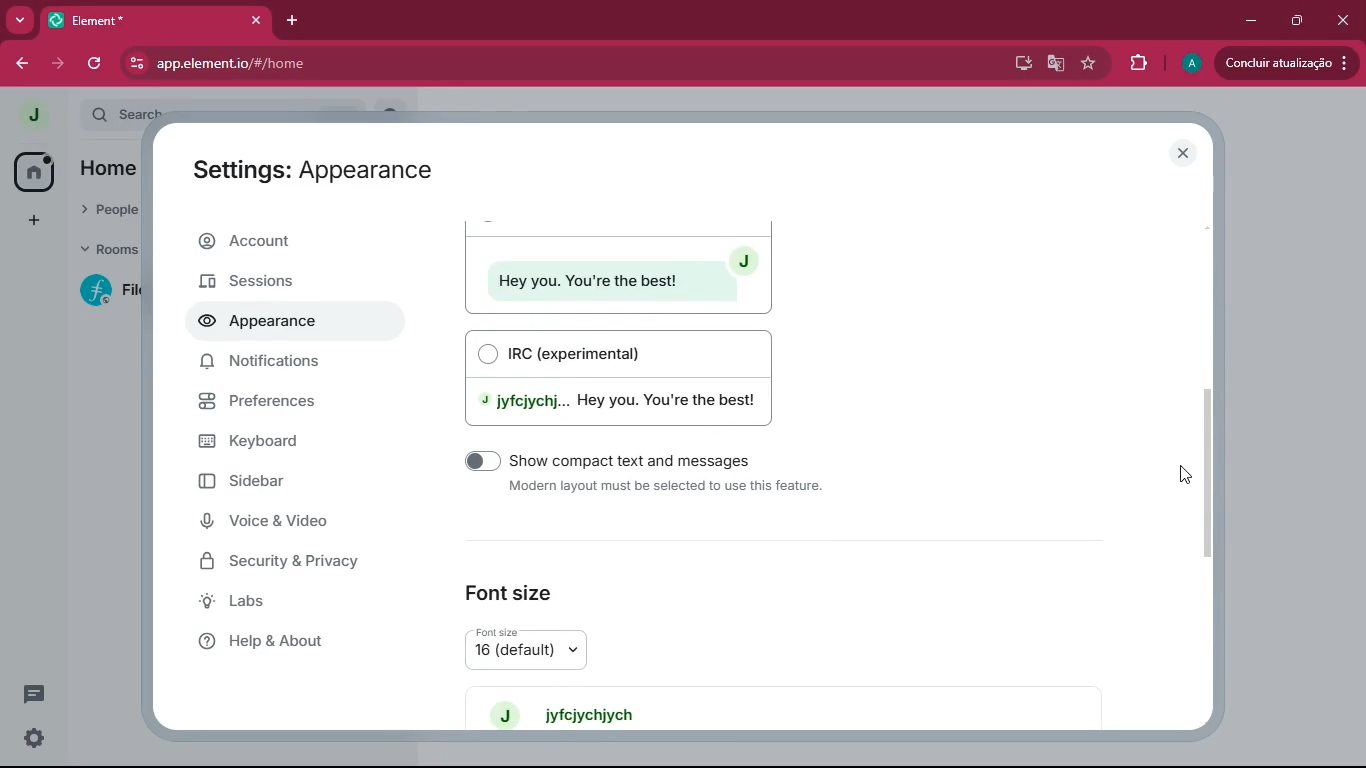 The width and height of the screenshot is (1366, 768). I want to click on sidebar, so click(277, 482).